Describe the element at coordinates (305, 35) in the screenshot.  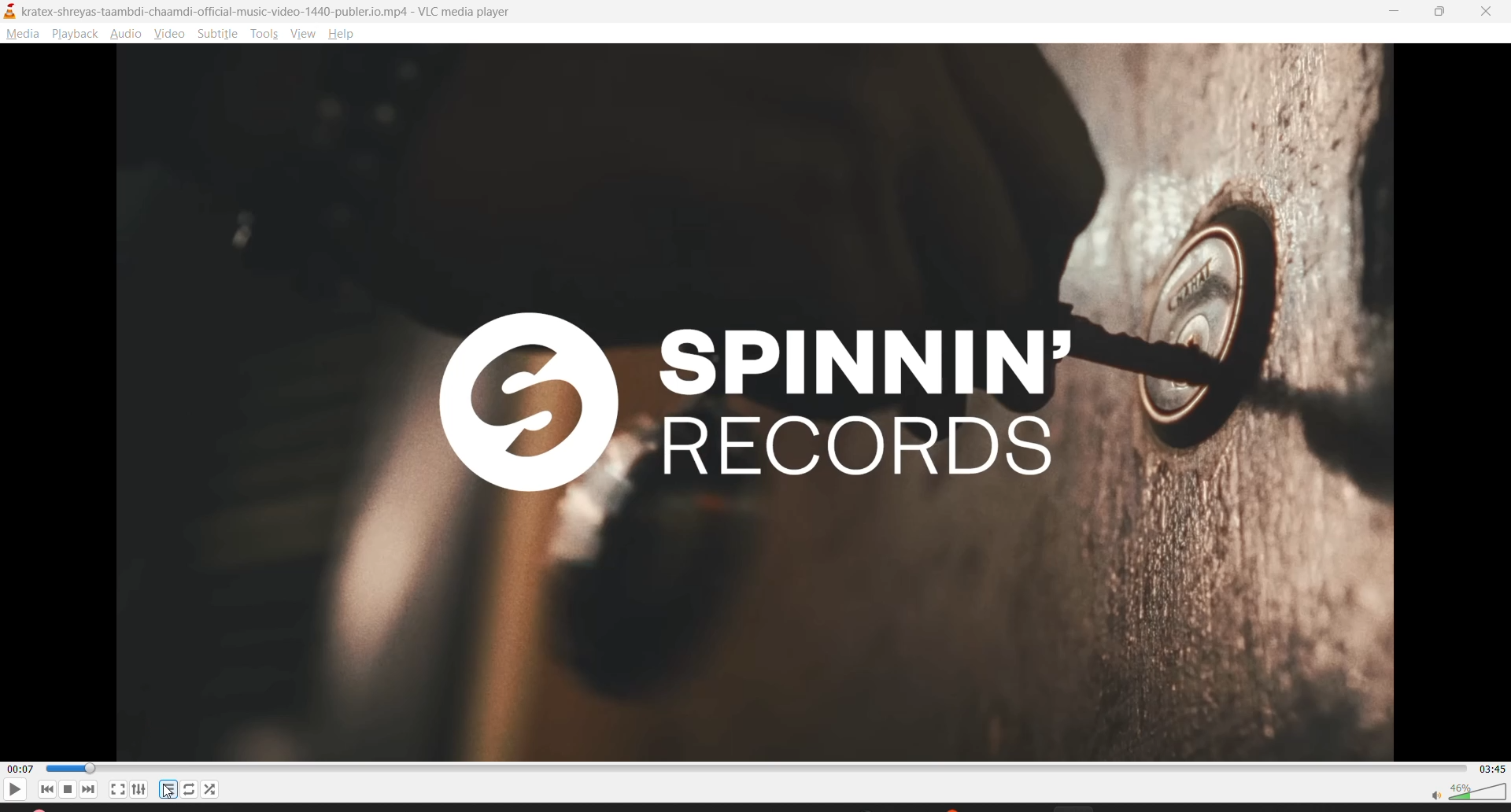
I see `view` at that location.